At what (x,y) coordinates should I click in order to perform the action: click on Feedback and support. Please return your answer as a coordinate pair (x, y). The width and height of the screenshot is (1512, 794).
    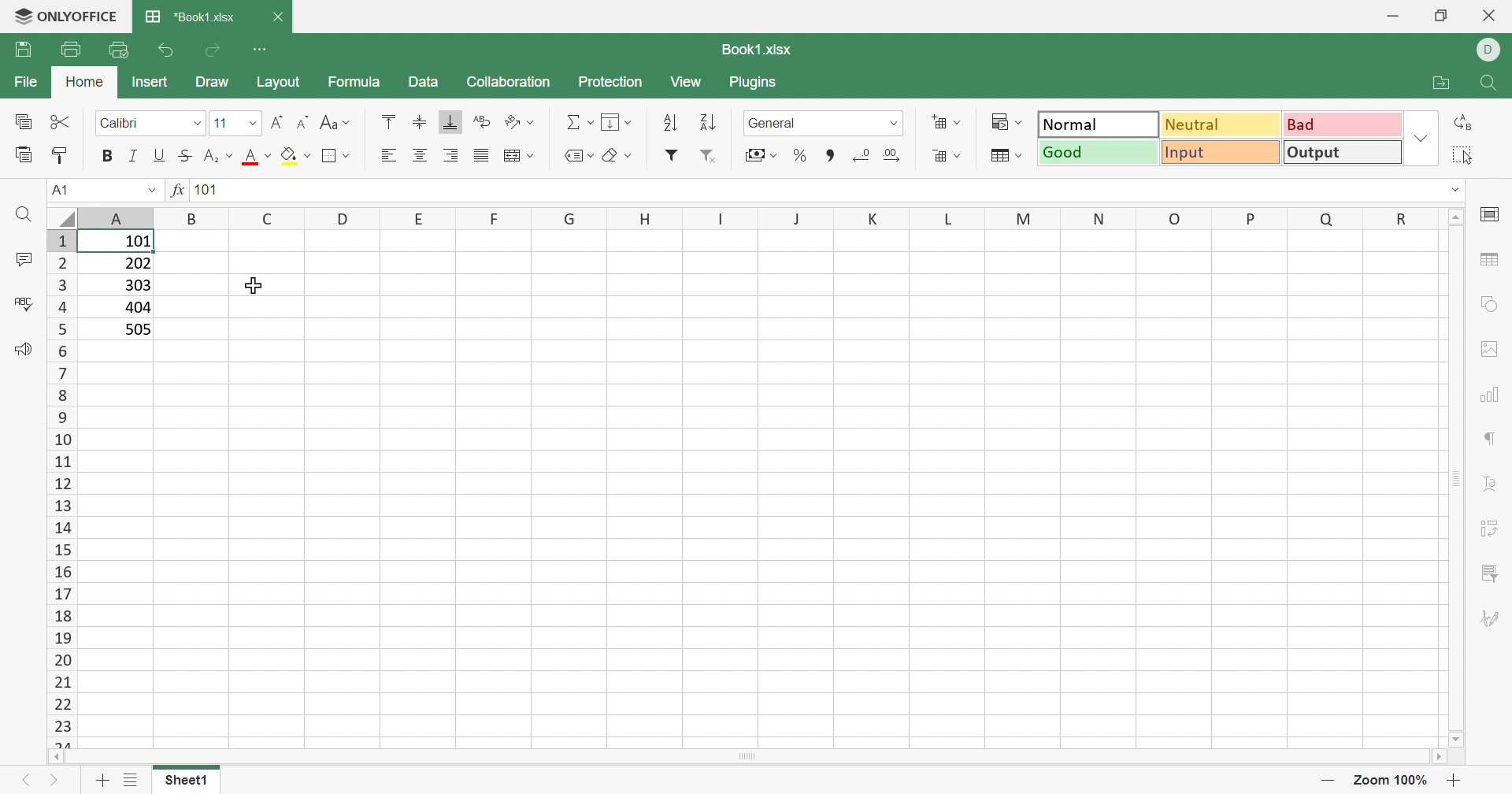
    Looking at the image, I should click on (18, 349).